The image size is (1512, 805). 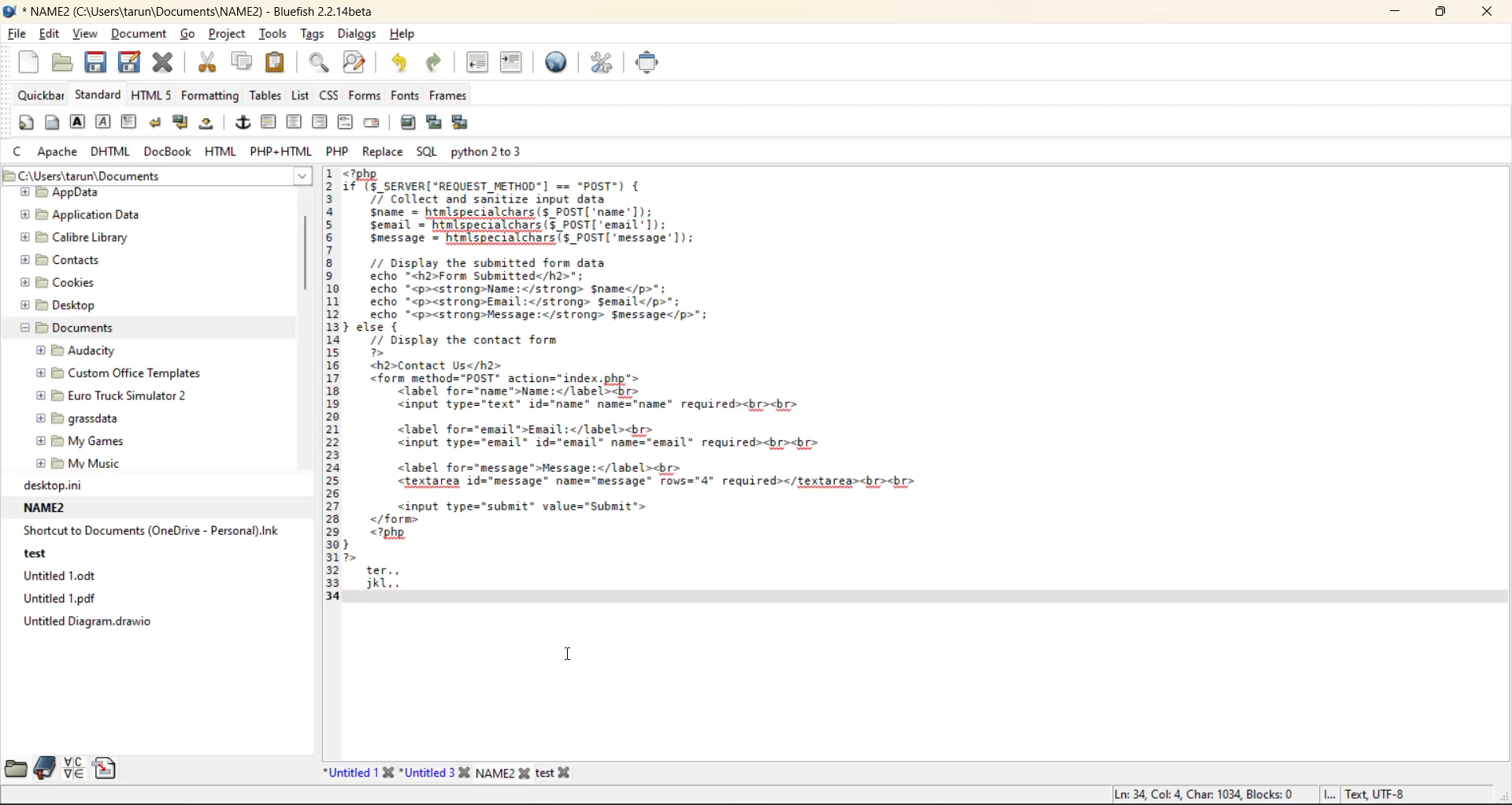 What do you see at coordinates (61, 151) in the screenshot?
I see `apache` at bounding box center [61, 151].